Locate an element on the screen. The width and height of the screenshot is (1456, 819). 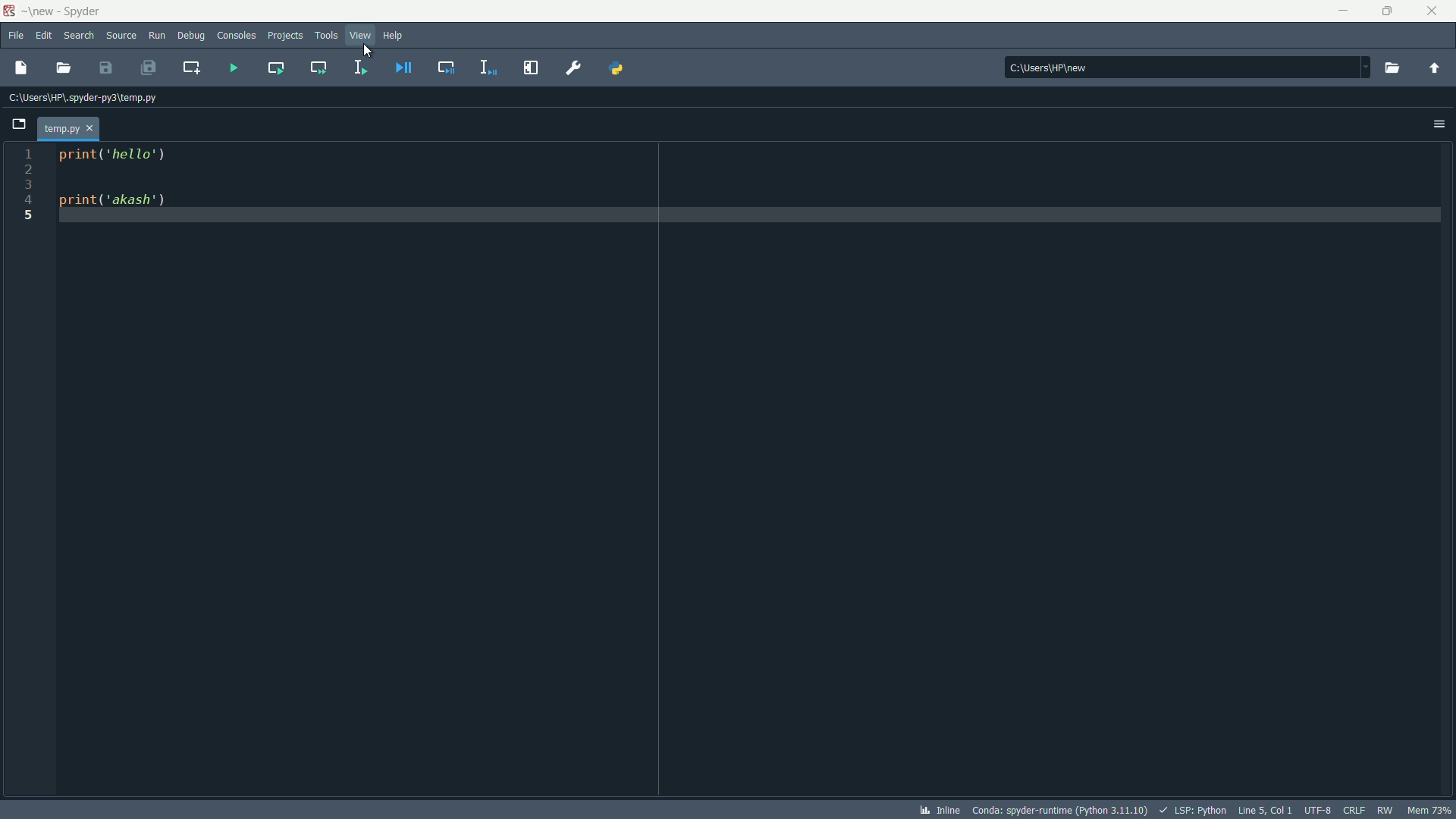
line number is located at coordinates (26, 187).